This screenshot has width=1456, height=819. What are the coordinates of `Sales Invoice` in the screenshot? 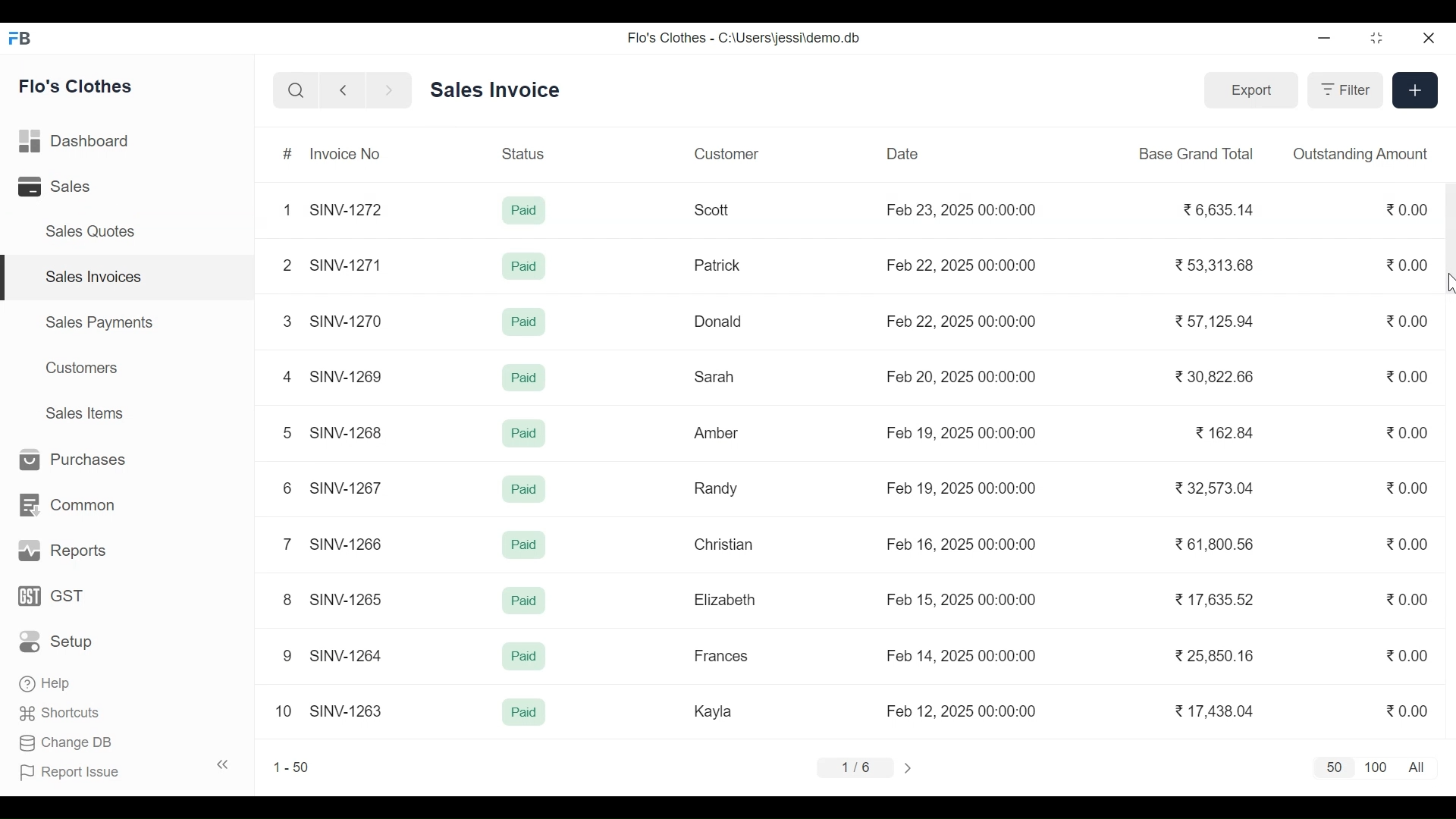 It's located at (494, 91).